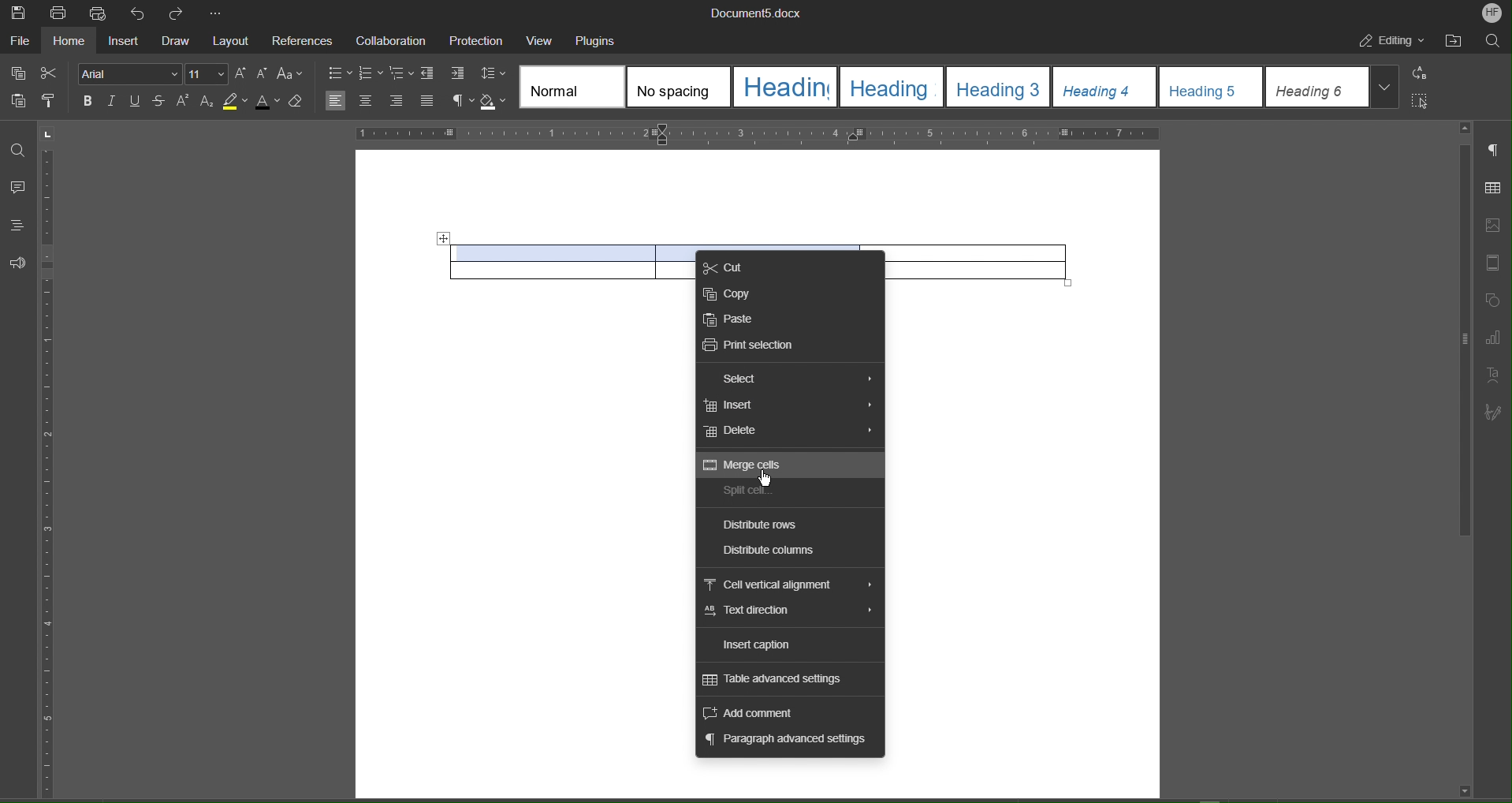  I want to click on Undo, so click(142, 14).